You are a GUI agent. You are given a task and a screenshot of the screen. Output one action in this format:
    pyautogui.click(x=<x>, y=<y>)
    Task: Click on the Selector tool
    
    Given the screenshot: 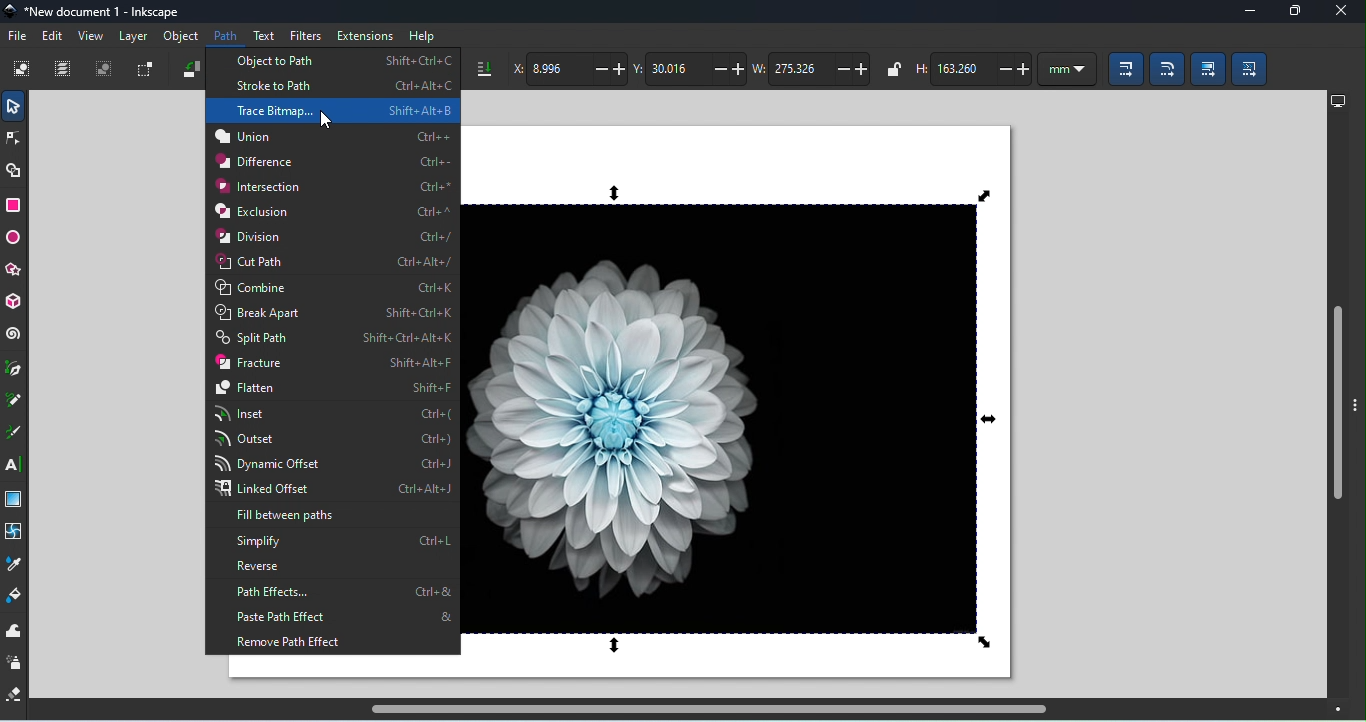 What is the action you would take?
    pyautogui.click(x=13, y=106)
    